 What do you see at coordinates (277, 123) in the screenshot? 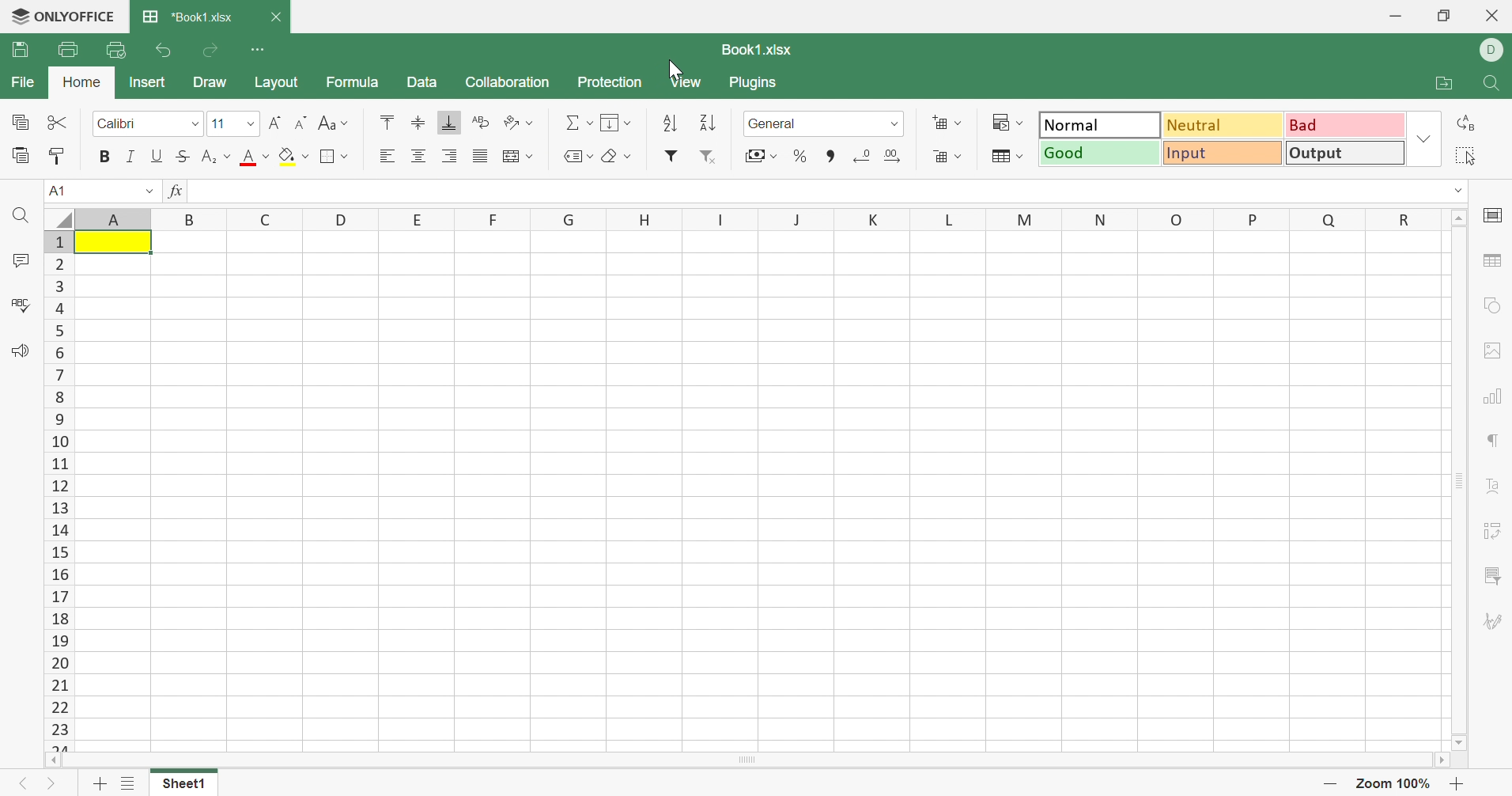
I see `Increment font size` at bounding box center [277, 123].